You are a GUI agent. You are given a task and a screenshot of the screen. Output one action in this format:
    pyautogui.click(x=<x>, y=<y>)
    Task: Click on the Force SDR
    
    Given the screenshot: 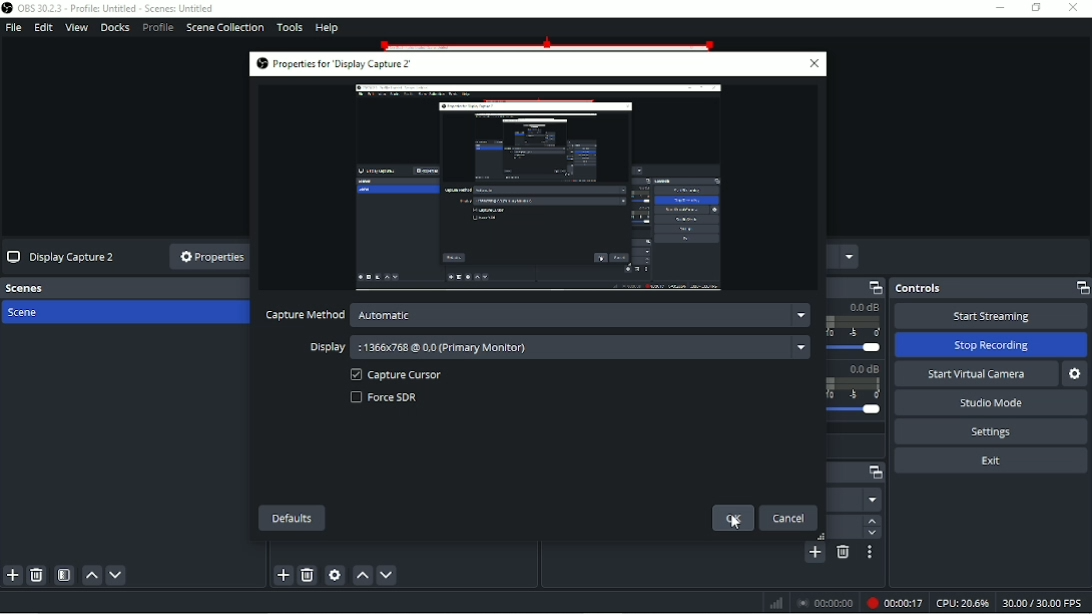 What is the action you would take?
    pyautogui.click(x=392, y=398)
    